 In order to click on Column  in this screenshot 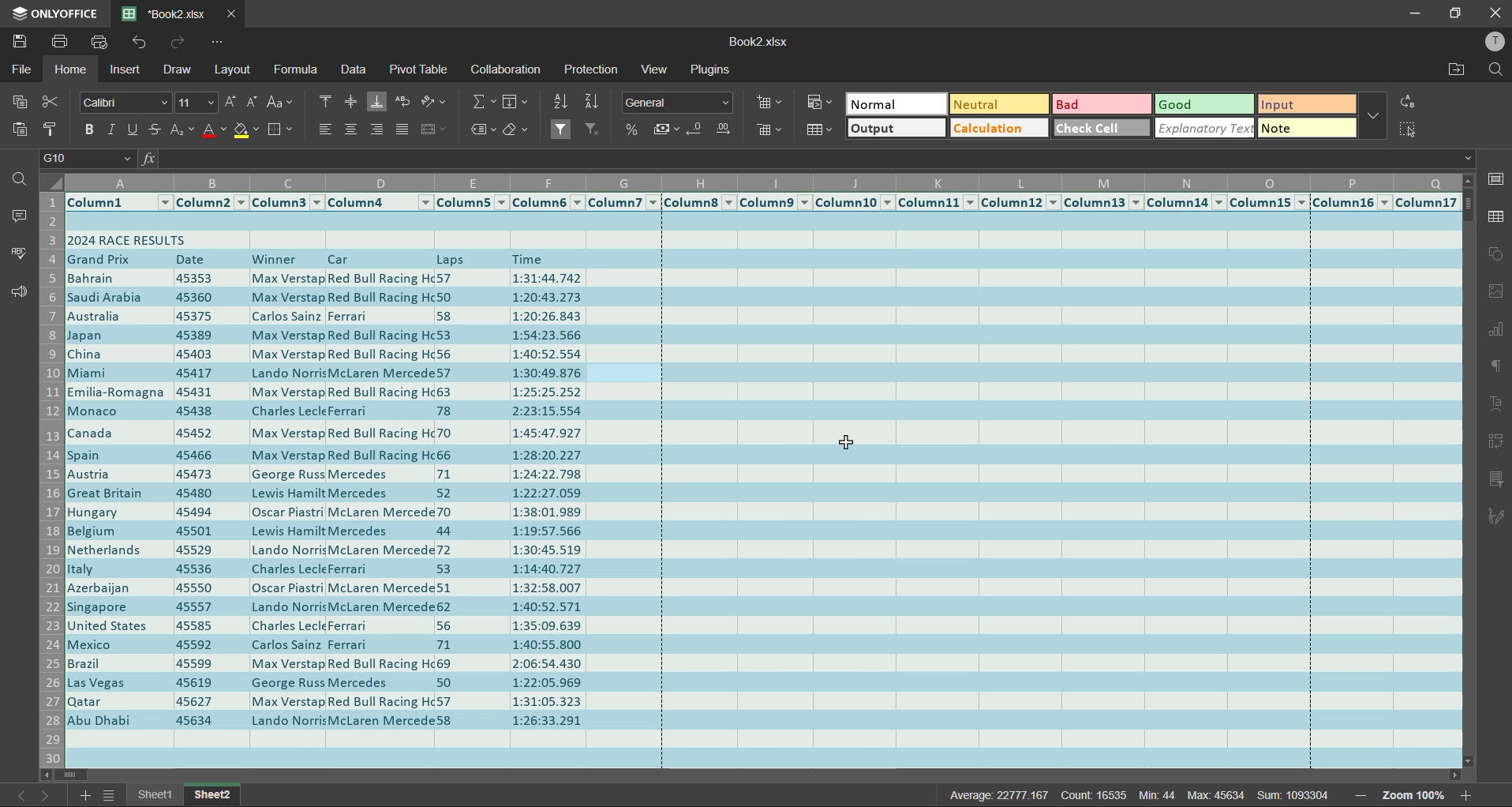, I will do `click(1021, 203)`.